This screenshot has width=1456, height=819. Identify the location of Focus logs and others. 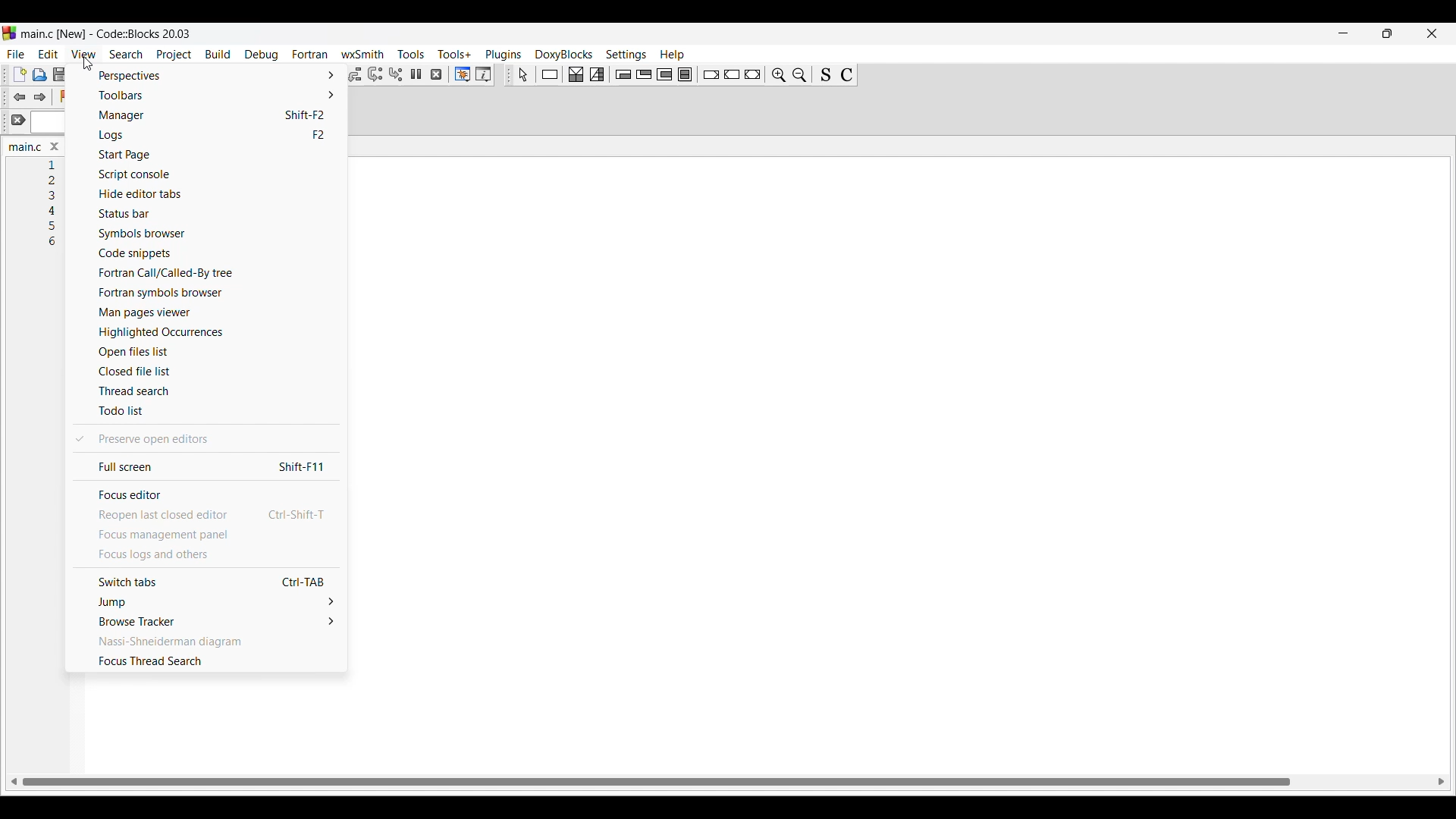
(204, 556).